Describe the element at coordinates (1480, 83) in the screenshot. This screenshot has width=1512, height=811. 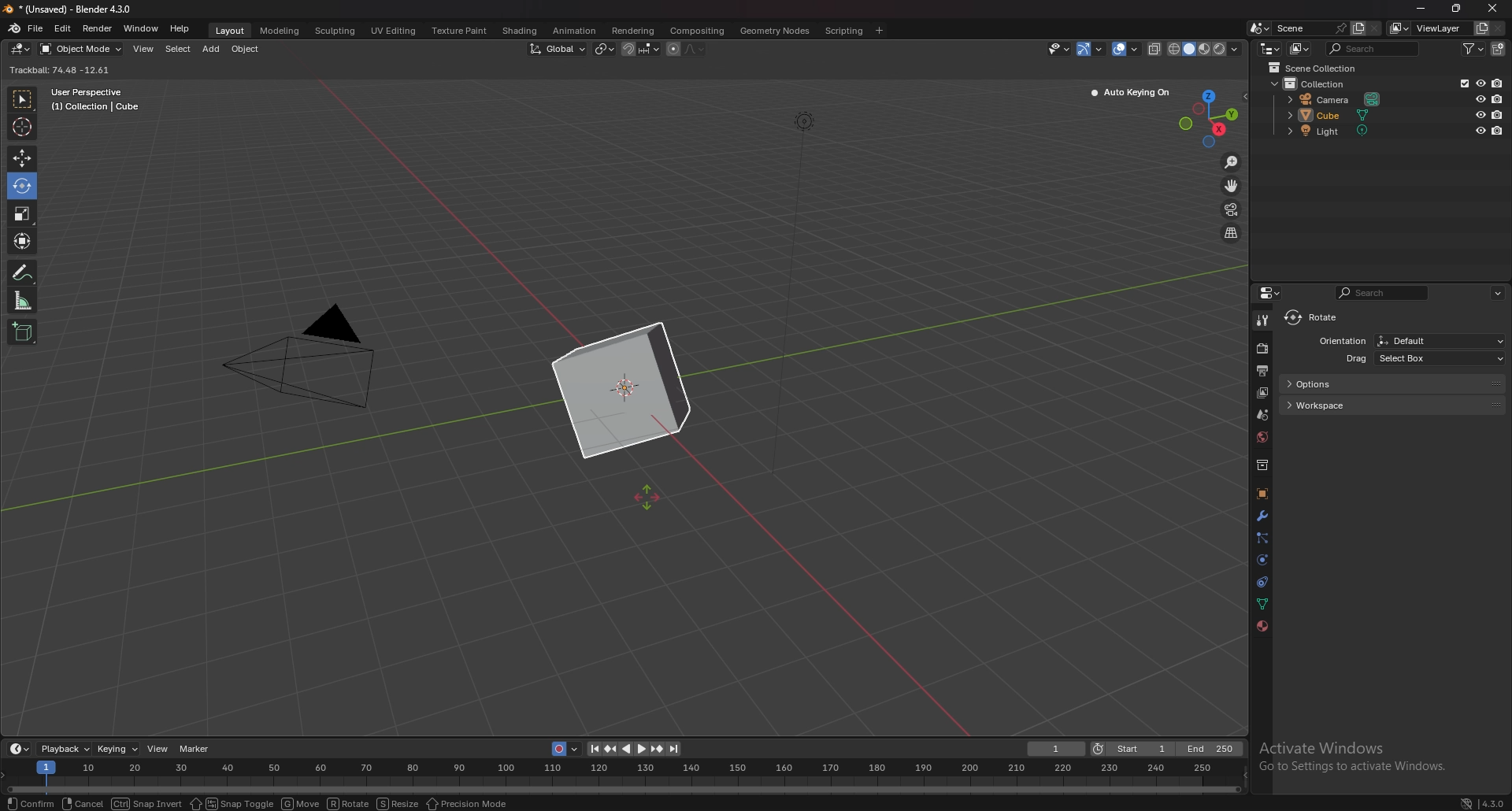
I see `hide in view port` at that location.